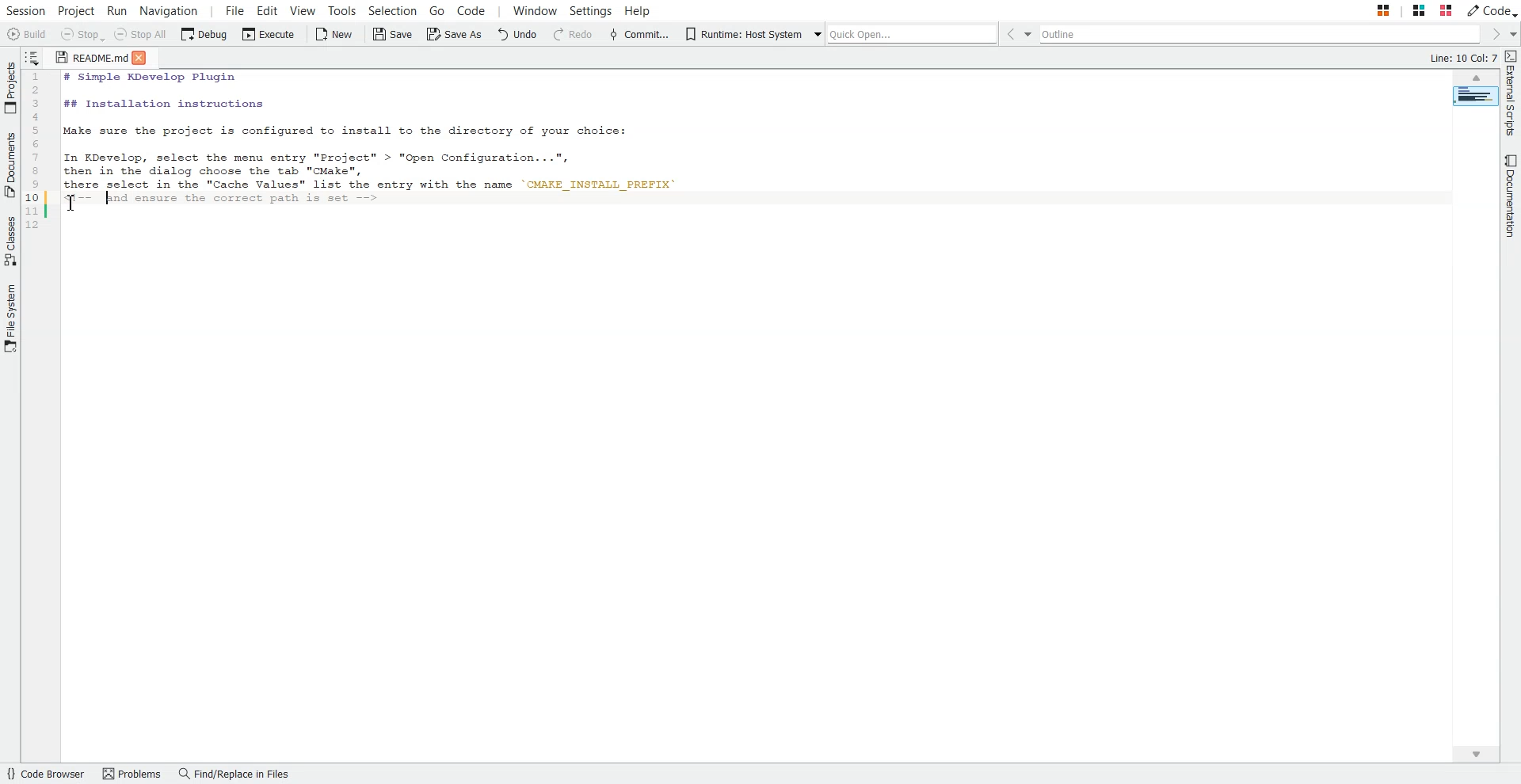 The height and width of the screenshot is (784, 1521). I want to click on Projects, so click(10, 88).